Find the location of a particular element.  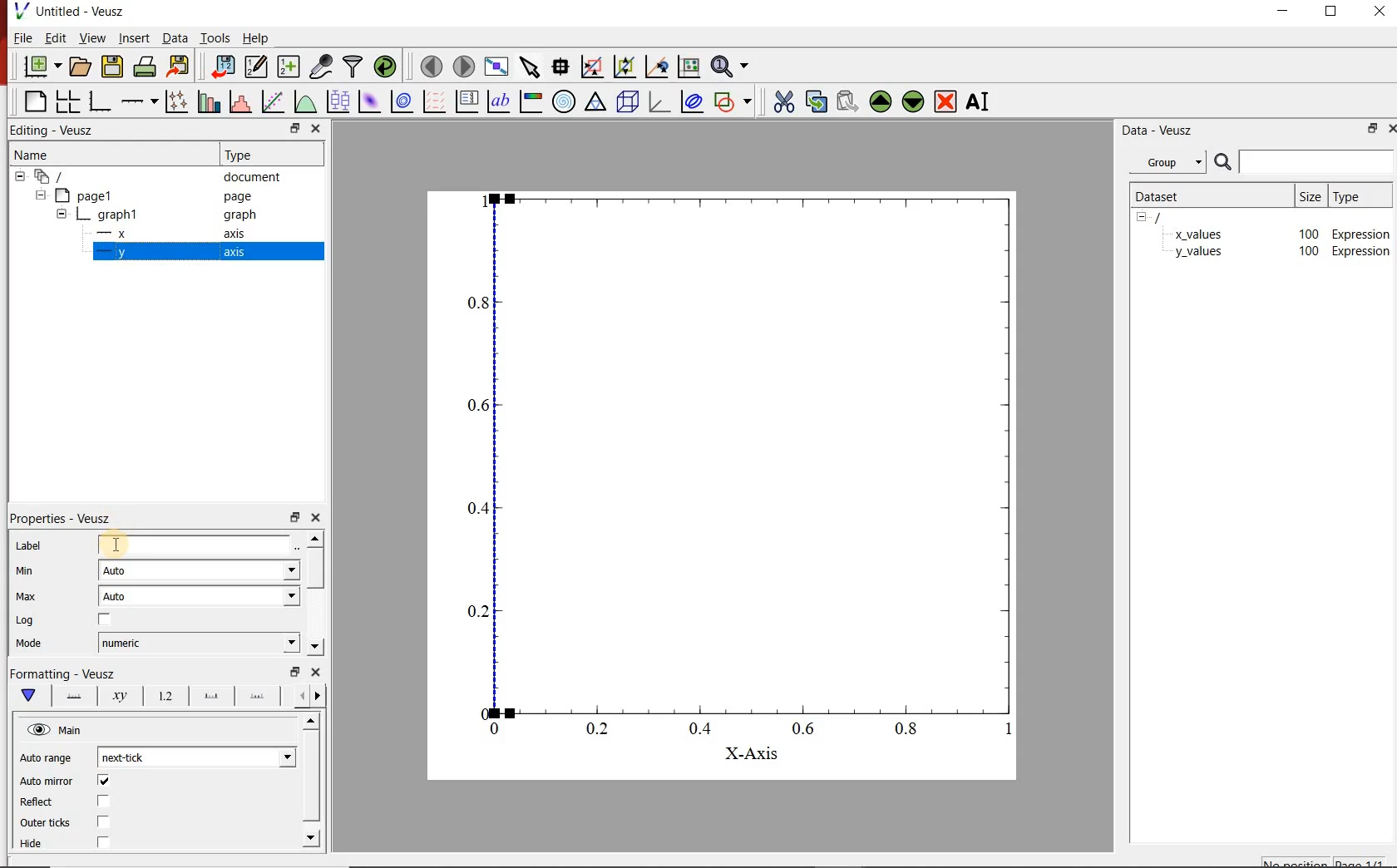

major ticks is located at coordinates (212, 696).